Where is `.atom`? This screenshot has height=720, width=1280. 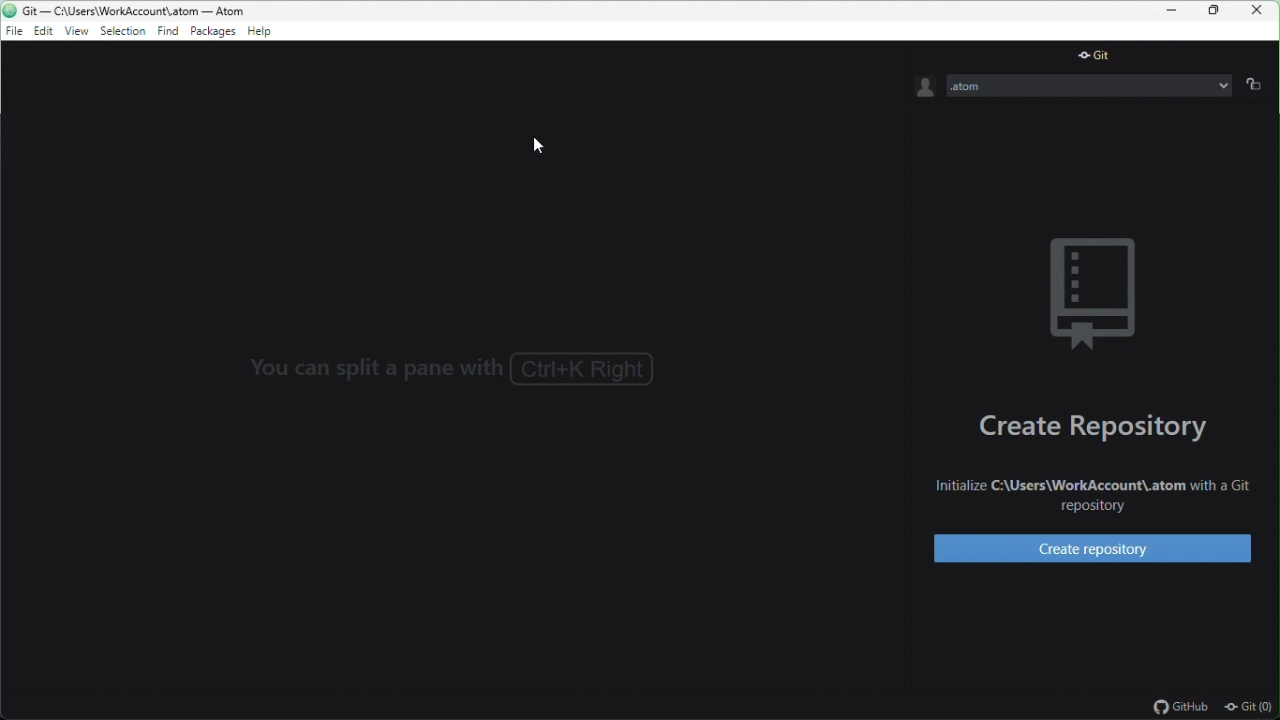
.atom is located at coordinates (1091, 88).